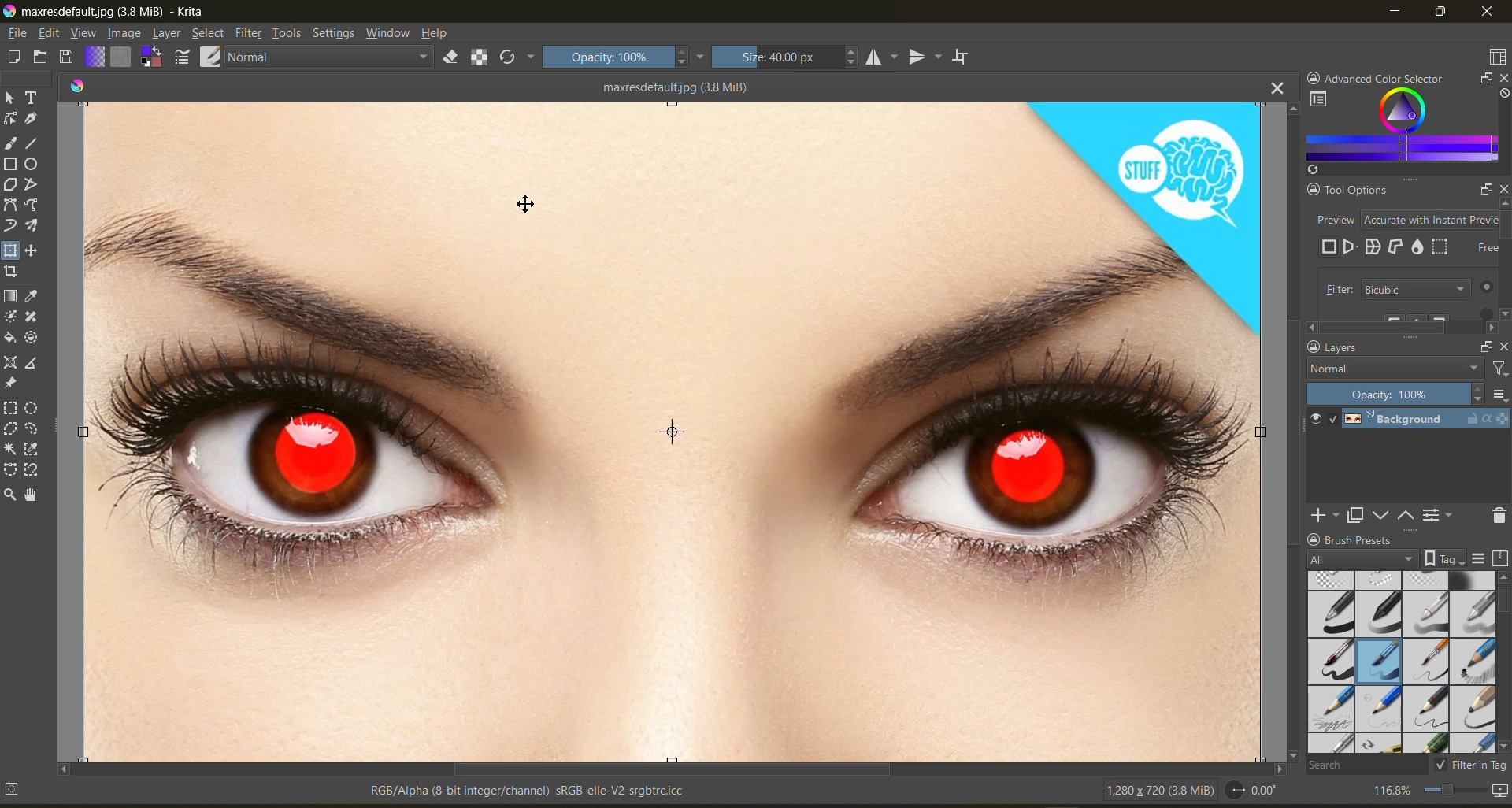 This screenshot has height=808, width=1512. I want to click on tool, so click(33, 96).